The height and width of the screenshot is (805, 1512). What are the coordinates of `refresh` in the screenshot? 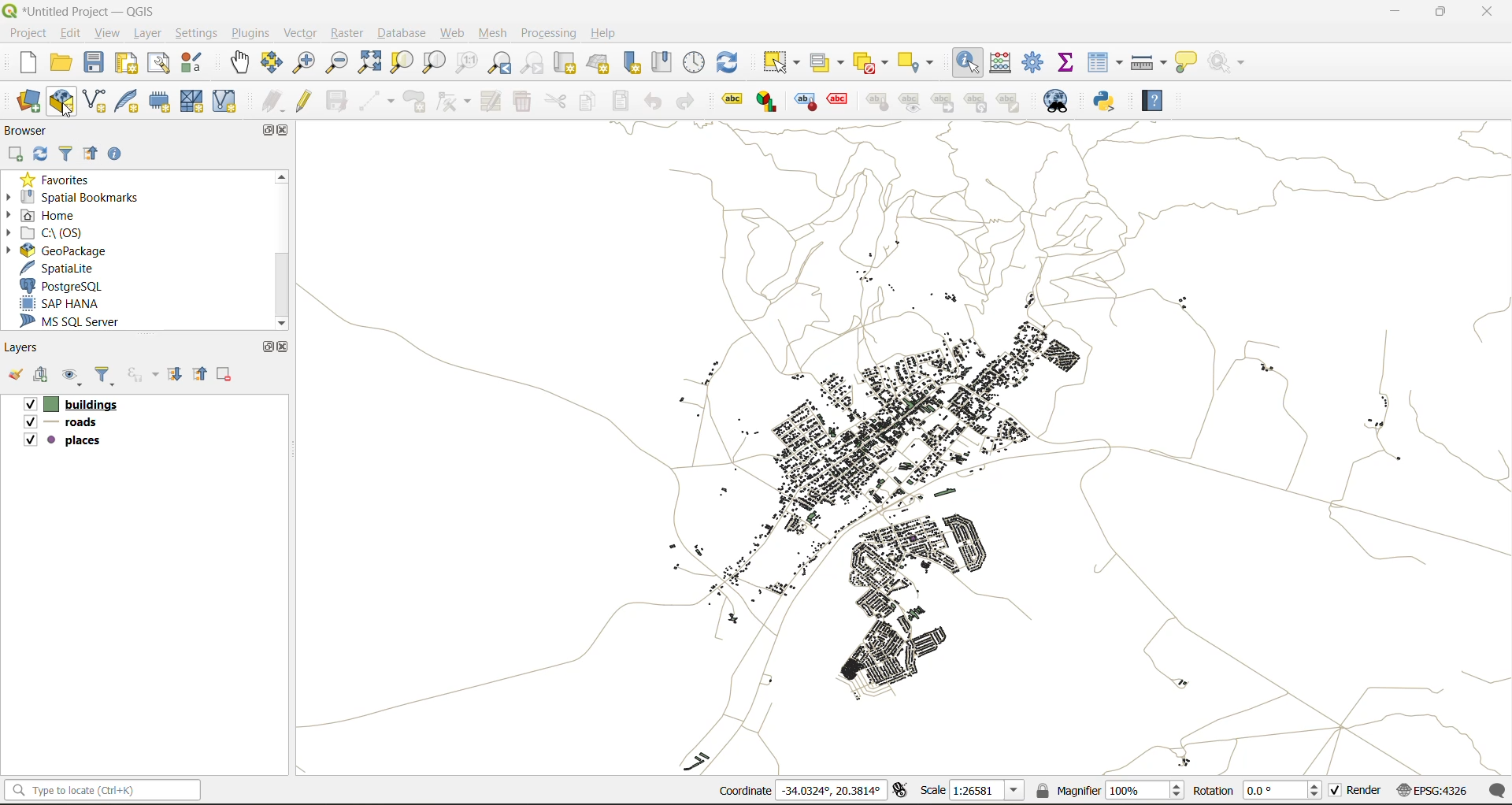 It's located at (42, 155).